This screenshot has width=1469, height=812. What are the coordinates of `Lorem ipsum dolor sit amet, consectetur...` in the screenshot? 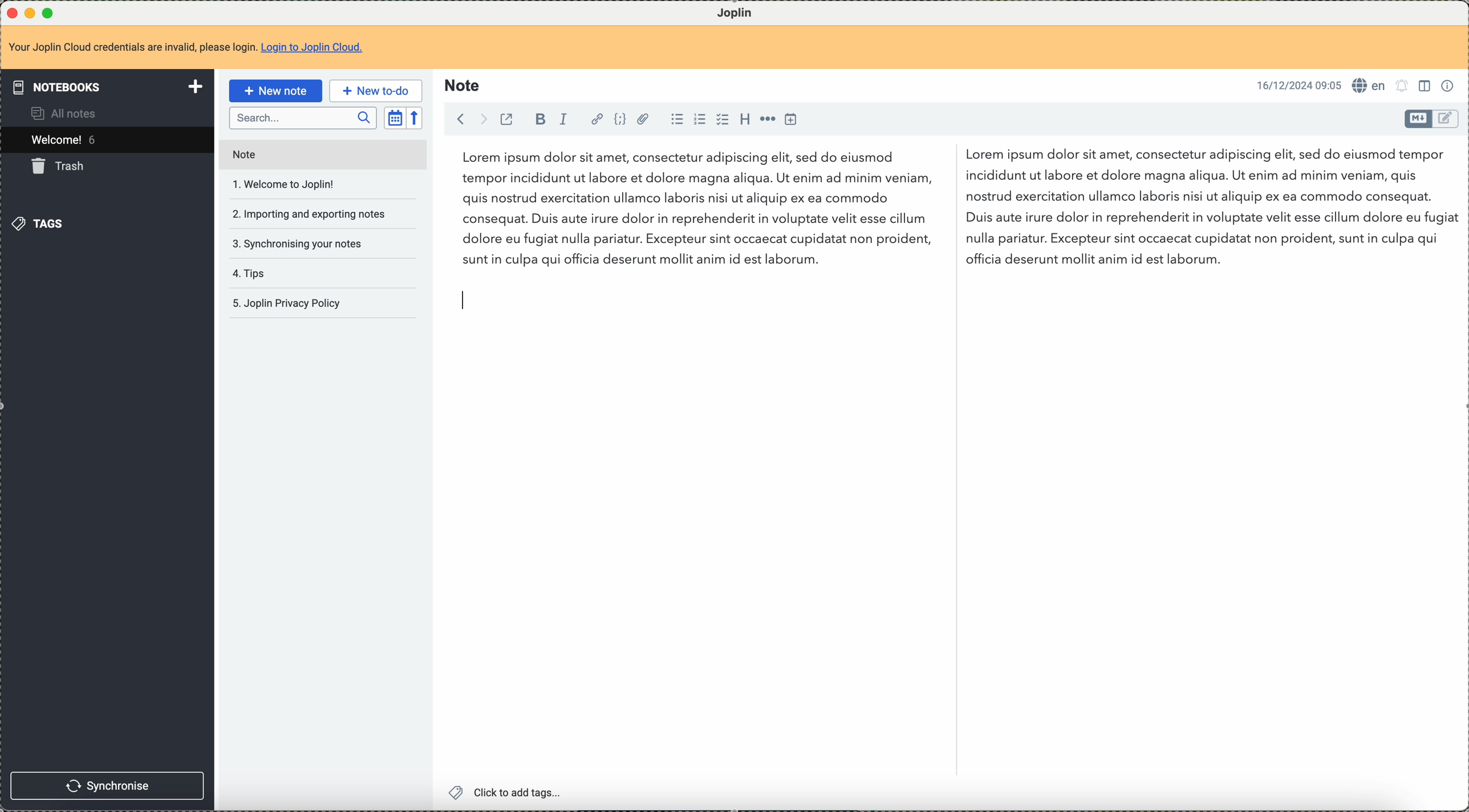 It's located at (1211, 209).